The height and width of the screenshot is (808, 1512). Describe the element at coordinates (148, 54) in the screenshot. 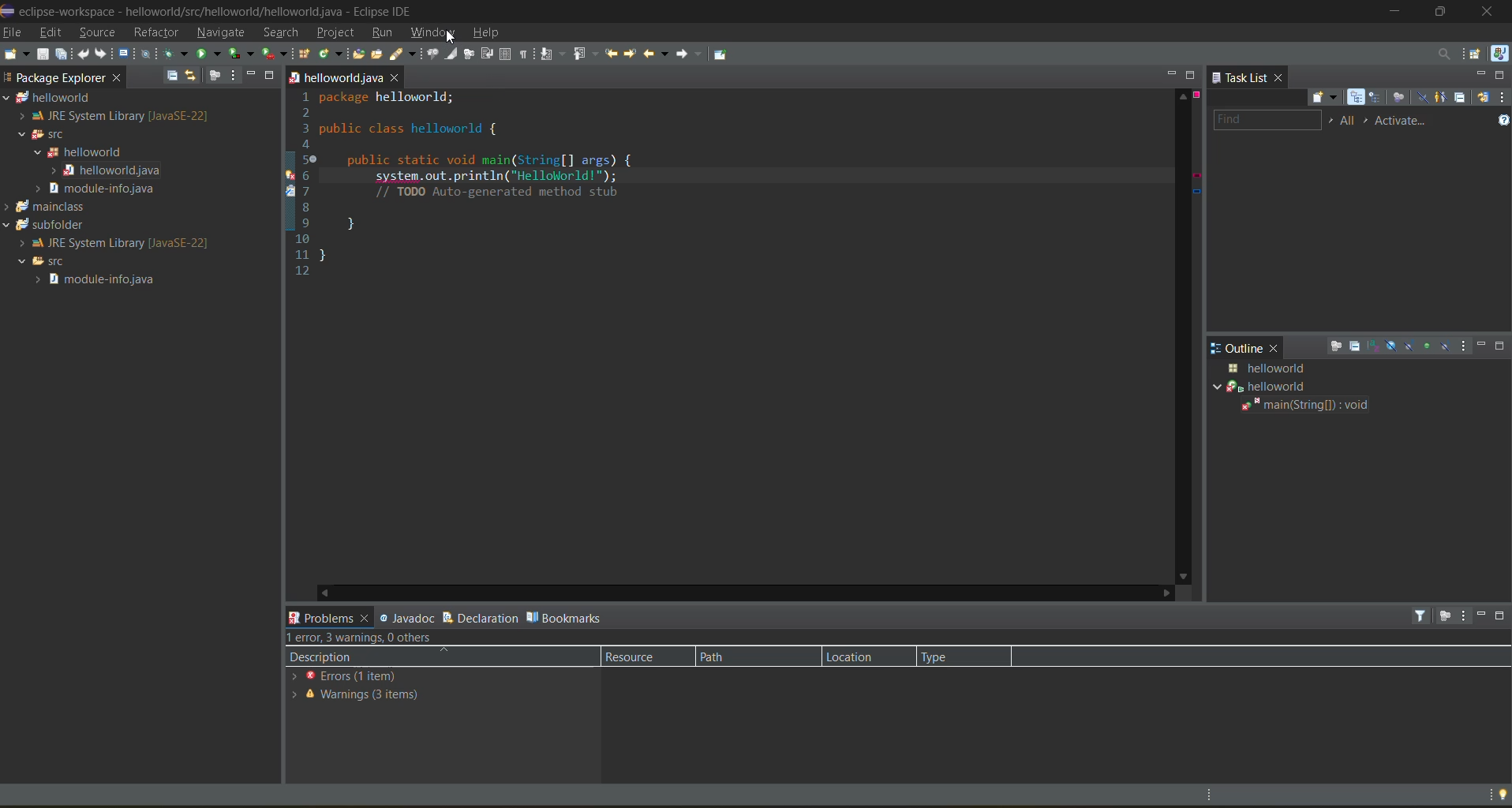

I see `skip all breakpoints` at that location.